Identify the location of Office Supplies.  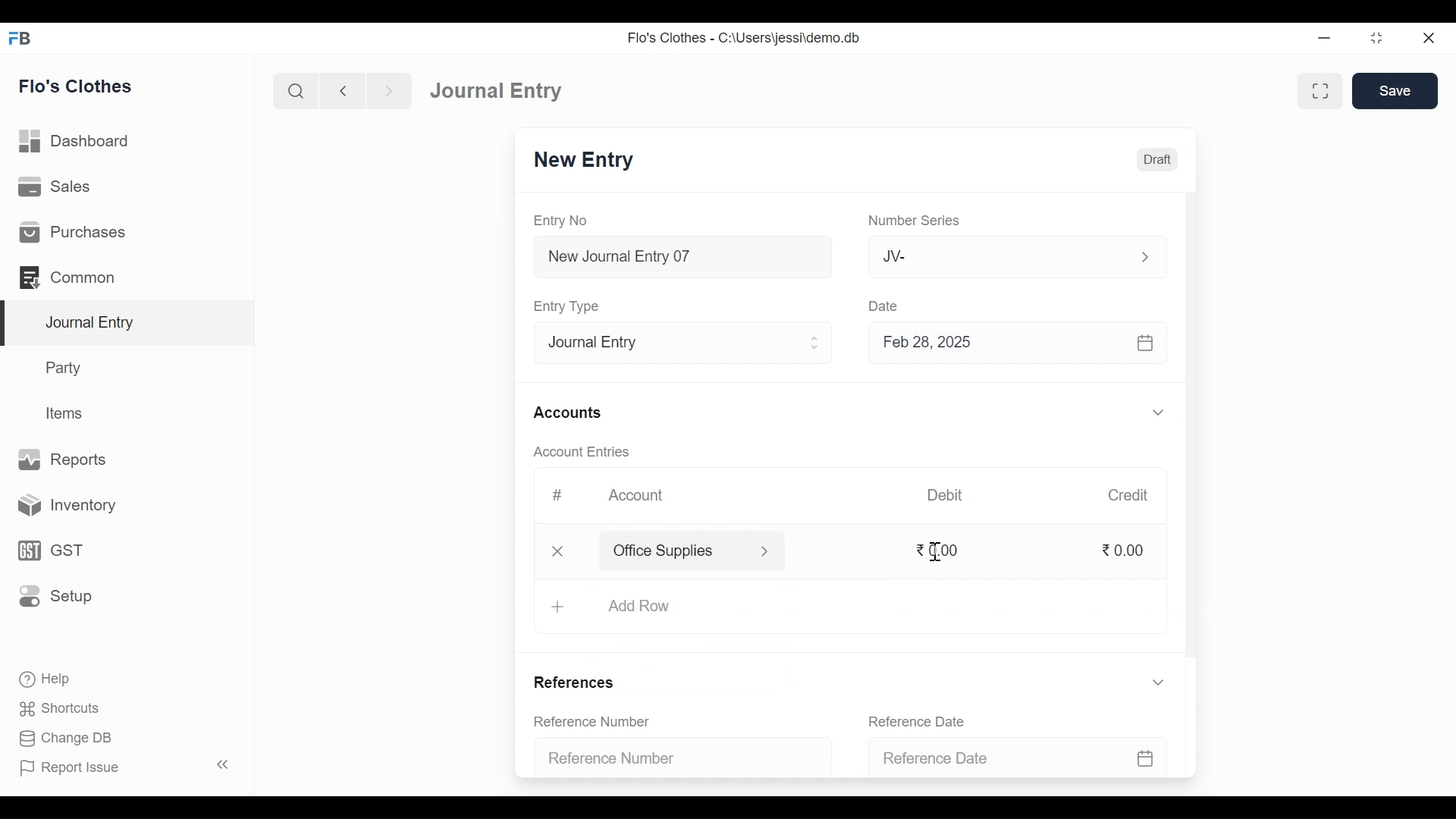
(674, 551).